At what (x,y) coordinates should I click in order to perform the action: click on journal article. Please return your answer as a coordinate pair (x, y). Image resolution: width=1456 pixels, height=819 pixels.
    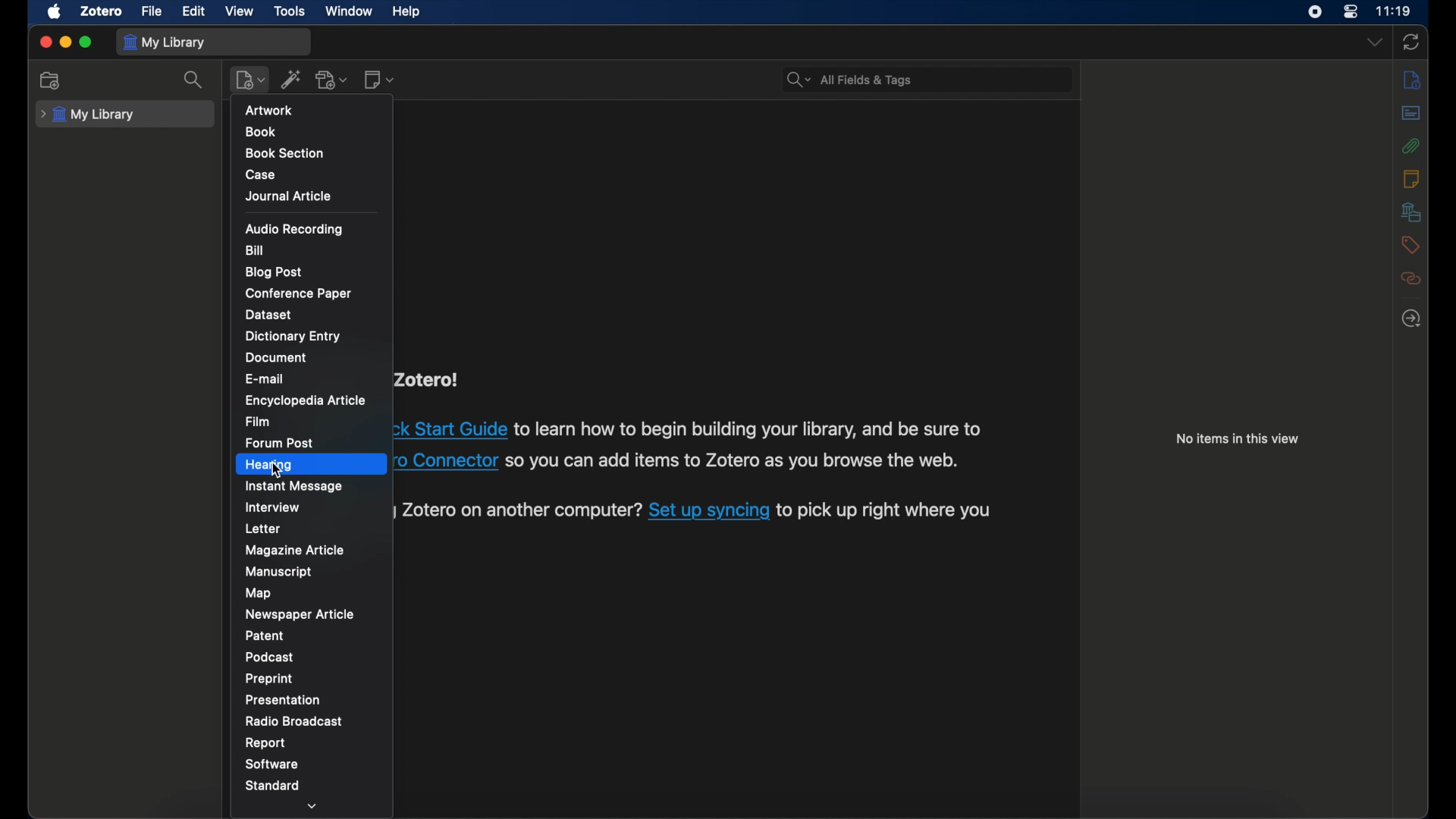
    Looking at the image, I should click on (288, 196).